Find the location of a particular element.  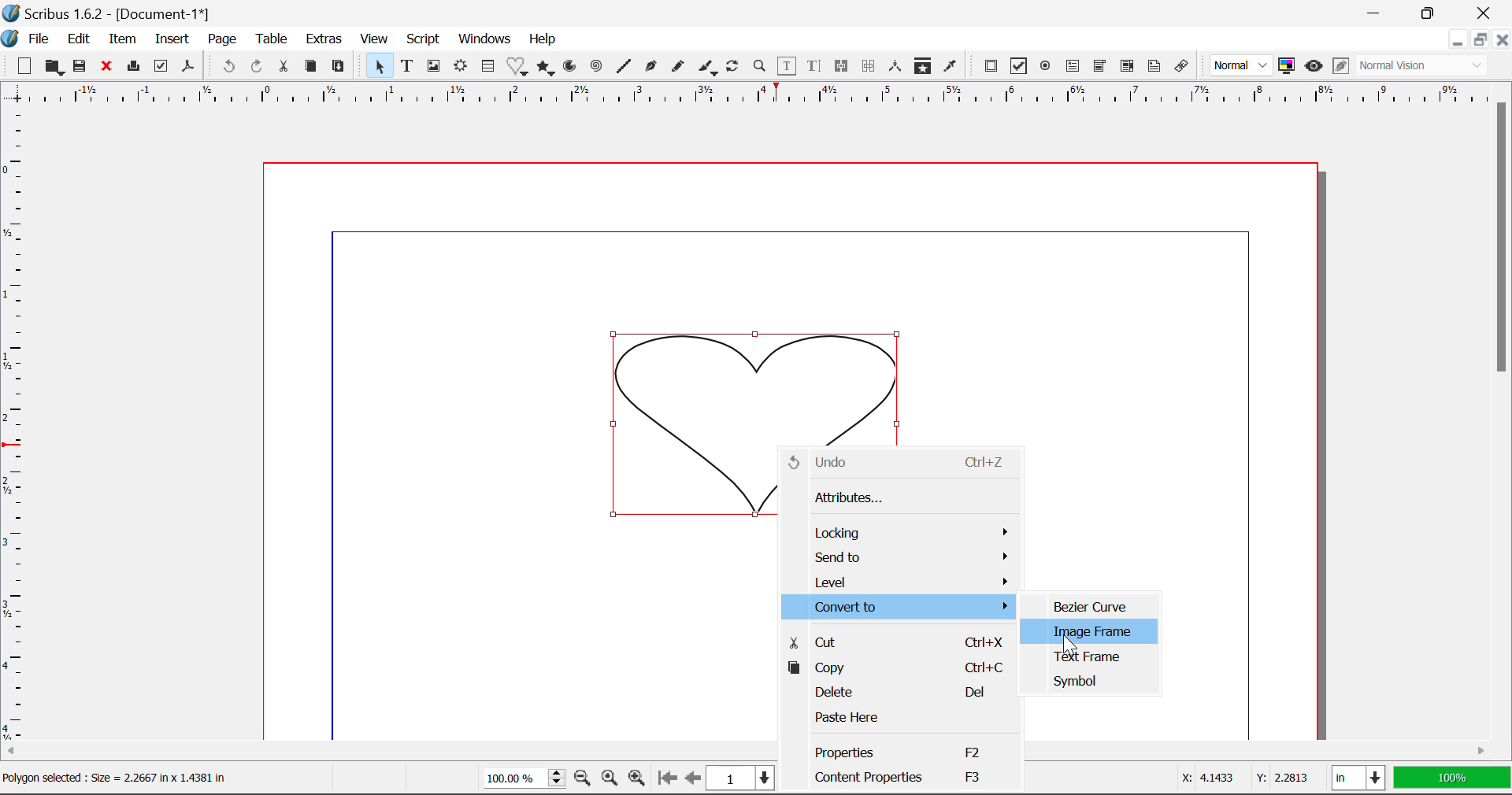

Bezier Curve is located at coordinates (652, 68).